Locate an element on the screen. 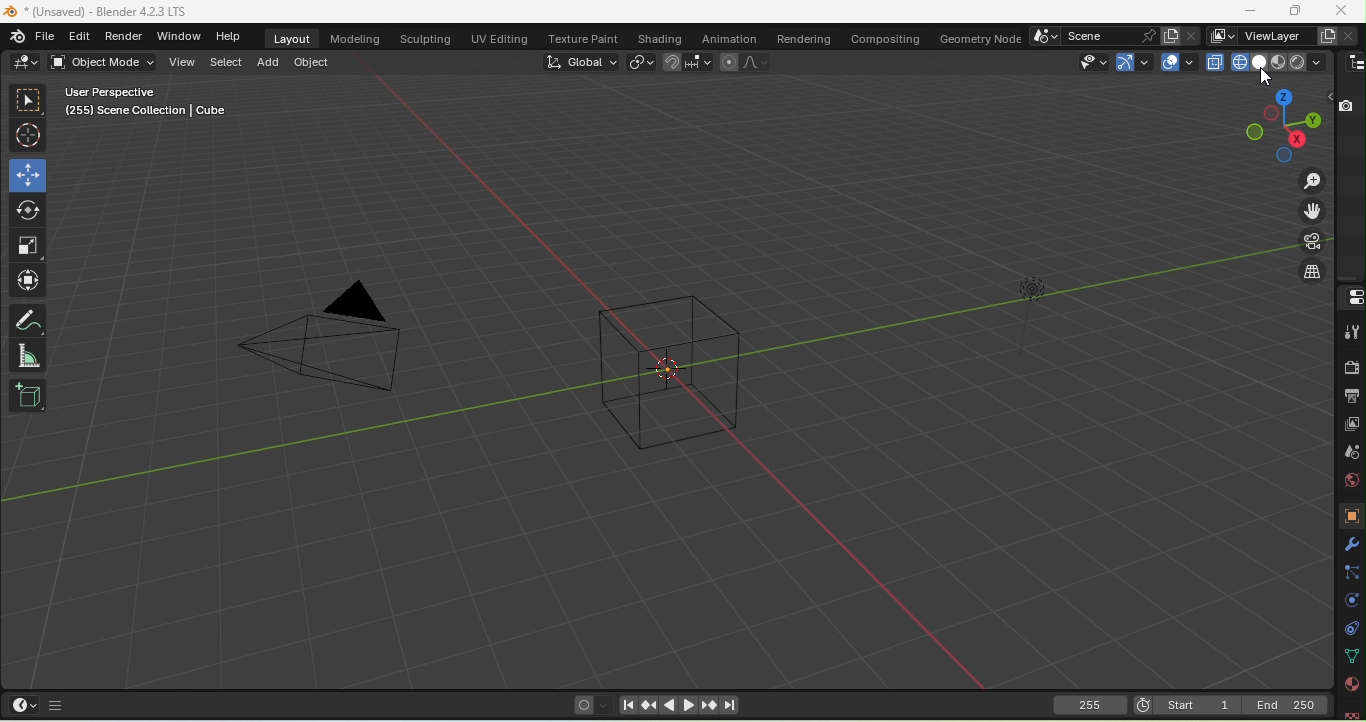  Editor is located at coordinates (76, 37).